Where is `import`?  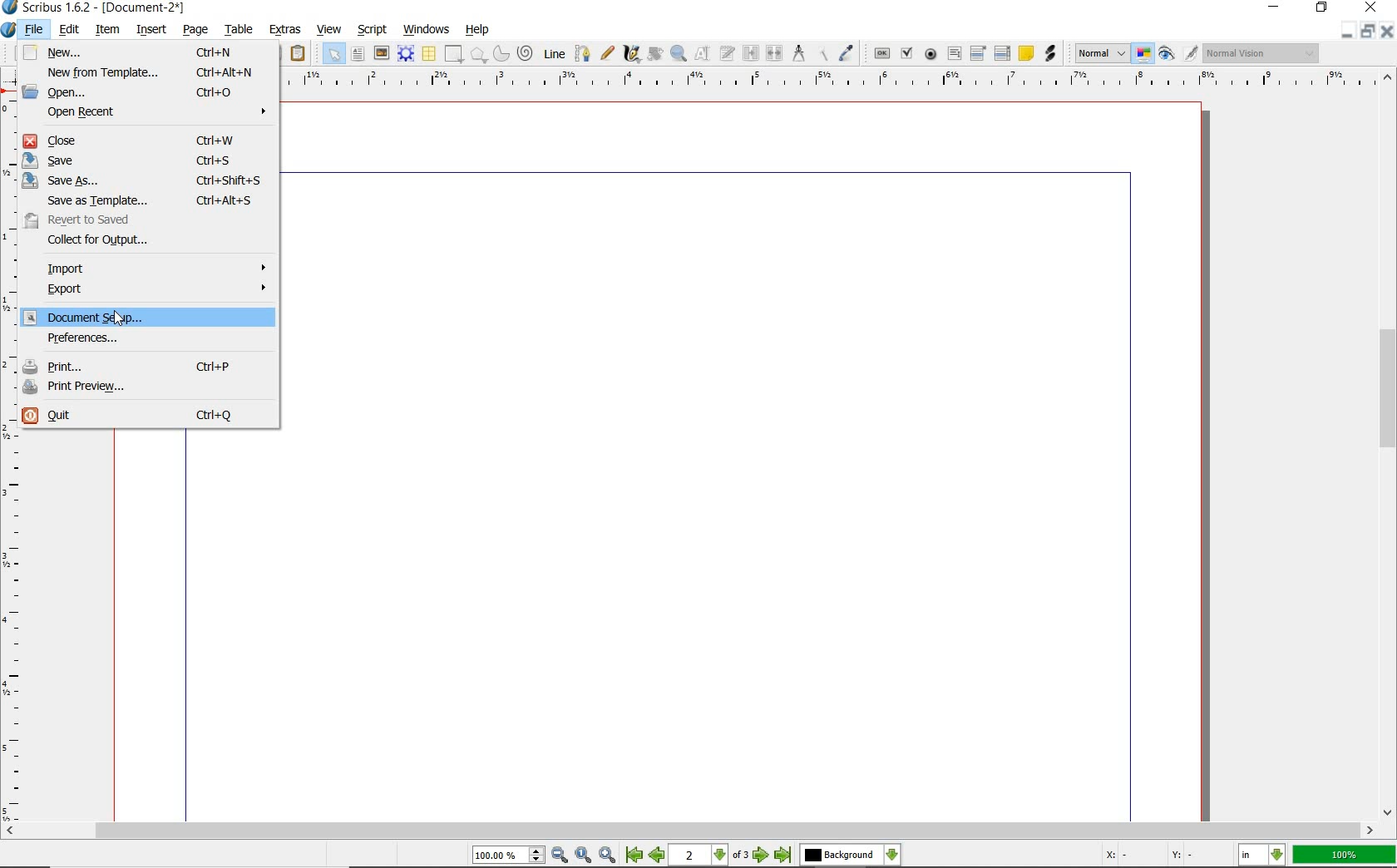 import is located at coordinates (153, 266).